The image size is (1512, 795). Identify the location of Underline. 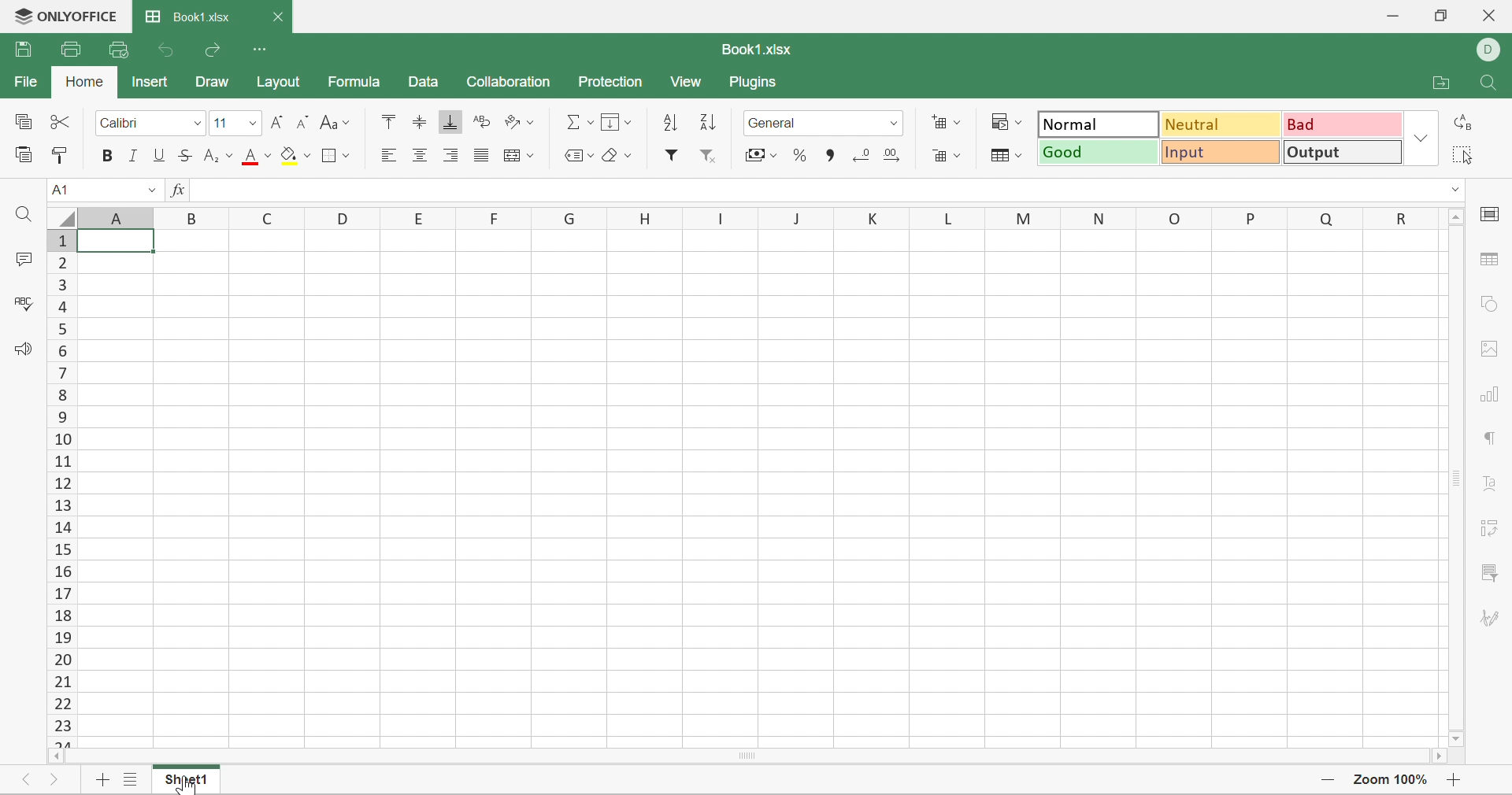
(157, 158).